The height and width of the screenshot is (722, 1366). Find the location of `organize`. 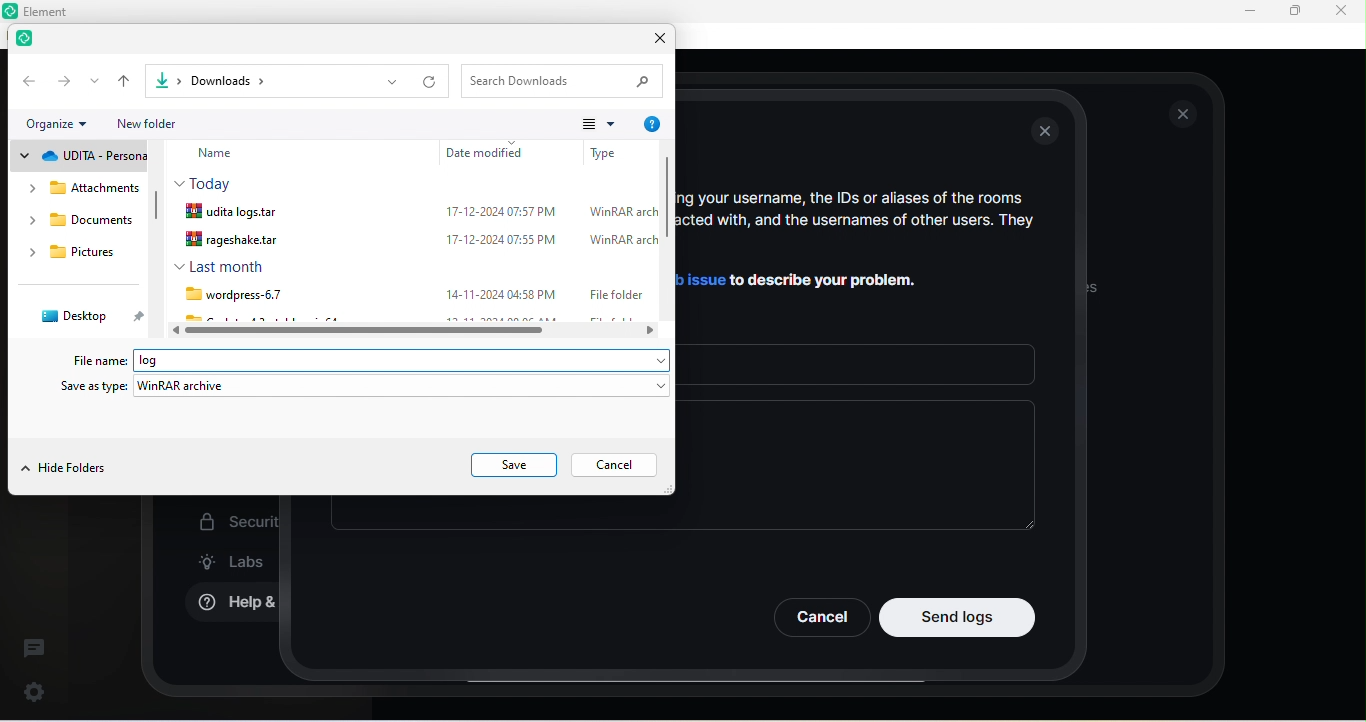

organize is located at coordinates (63, 125).